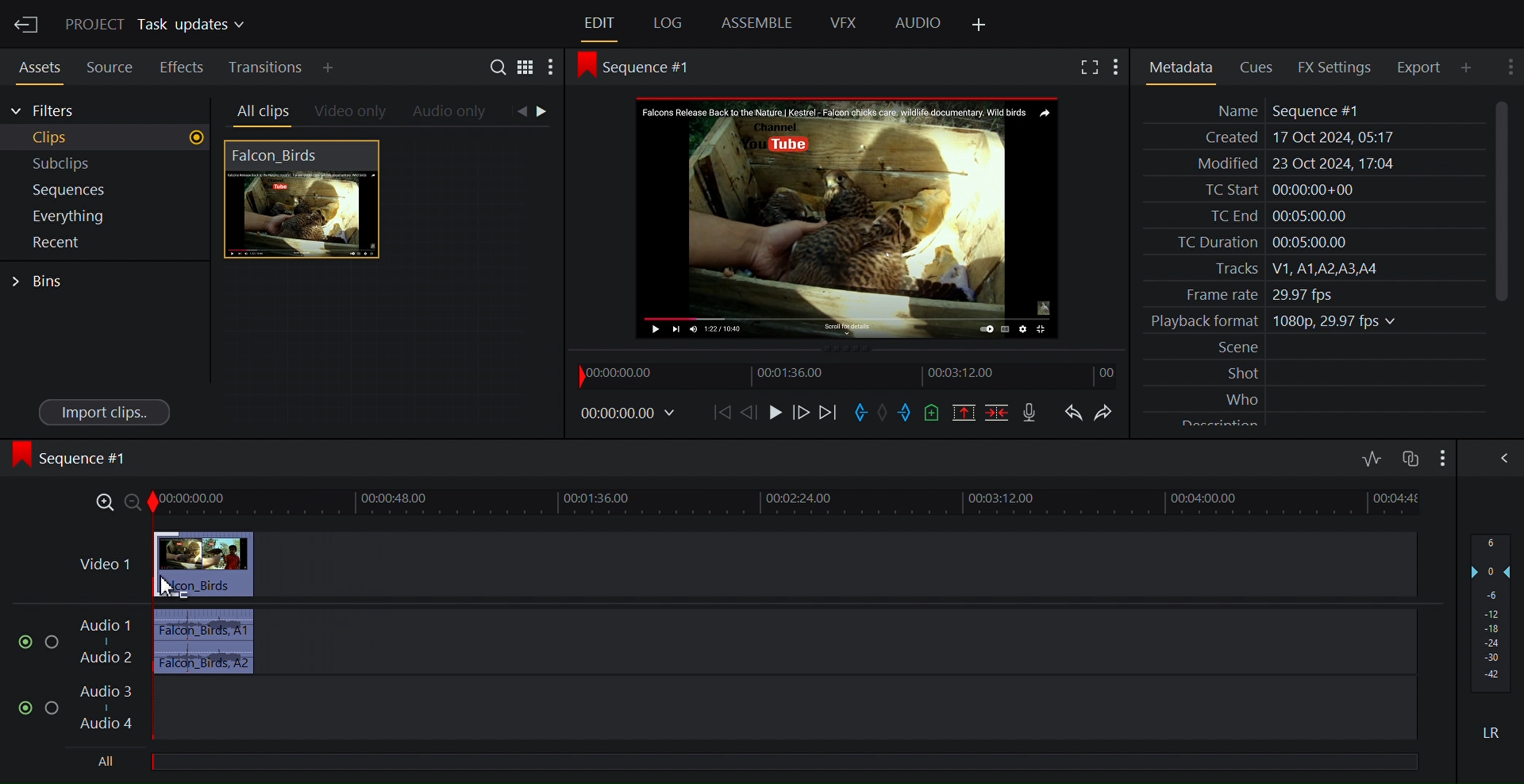 This screenshot has width=1524, height=784. Describe the element at coordinates (1441, 457) in the screenshot. I see `Show/Hide audio full mix` at that location.